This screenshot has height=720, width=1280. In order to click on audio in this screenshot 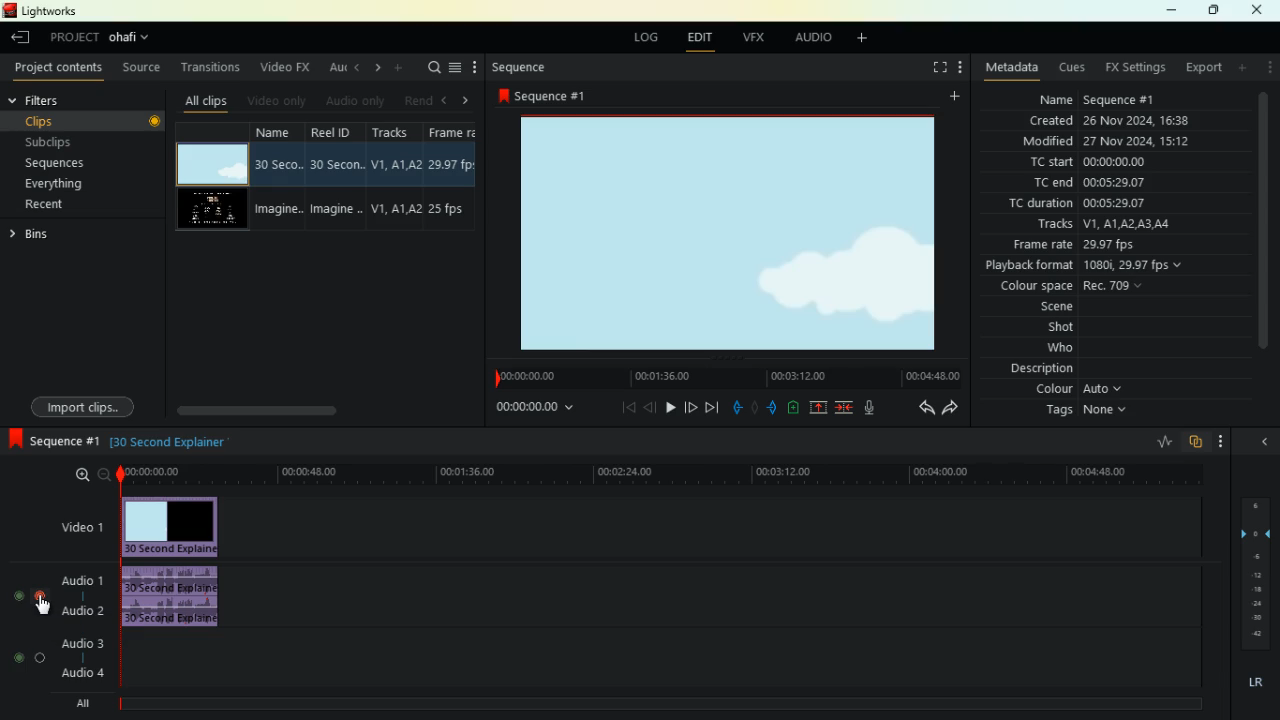, I will do `click(81, 582)`.